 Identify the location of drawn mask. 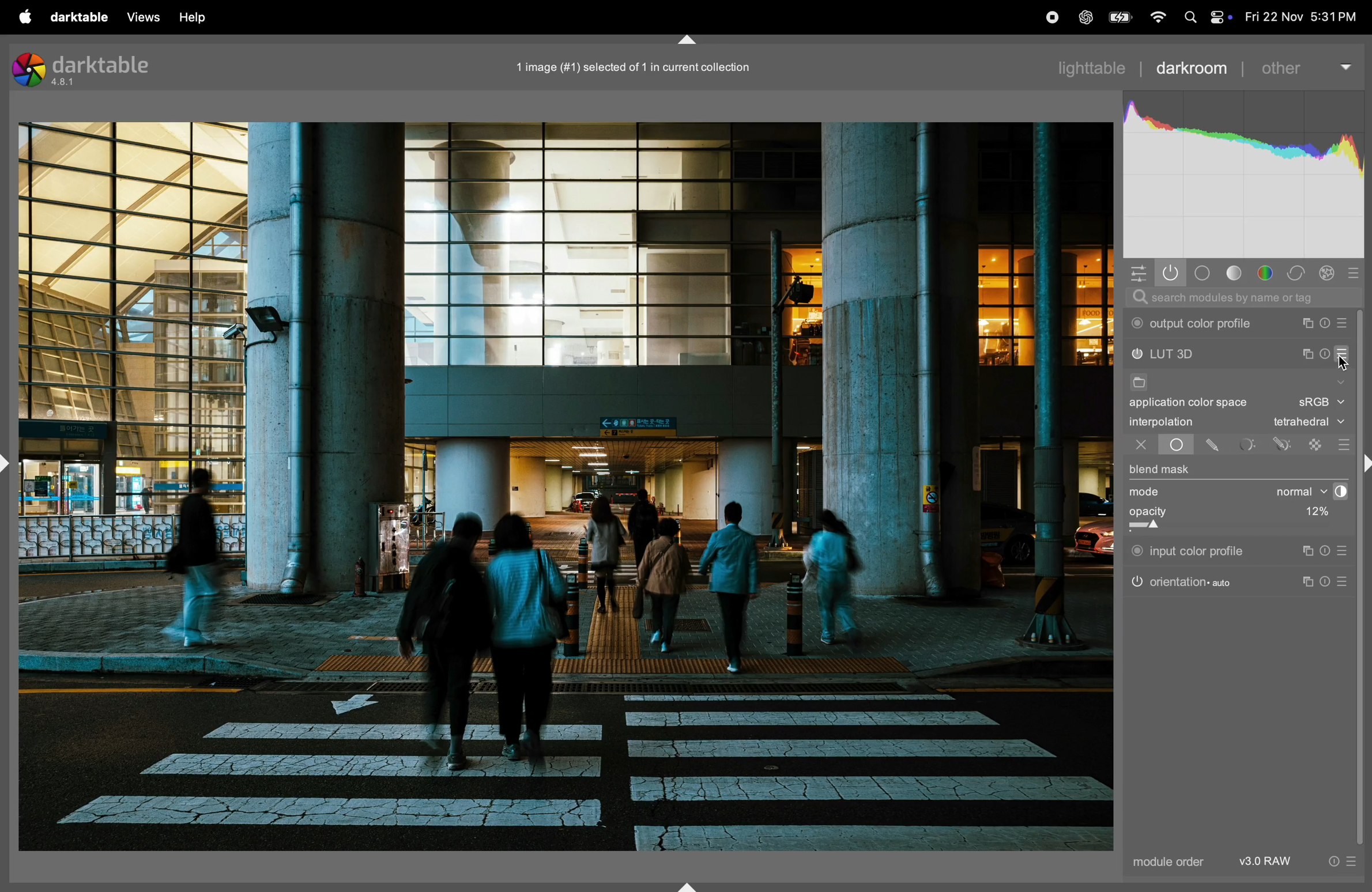
(1215, 445).